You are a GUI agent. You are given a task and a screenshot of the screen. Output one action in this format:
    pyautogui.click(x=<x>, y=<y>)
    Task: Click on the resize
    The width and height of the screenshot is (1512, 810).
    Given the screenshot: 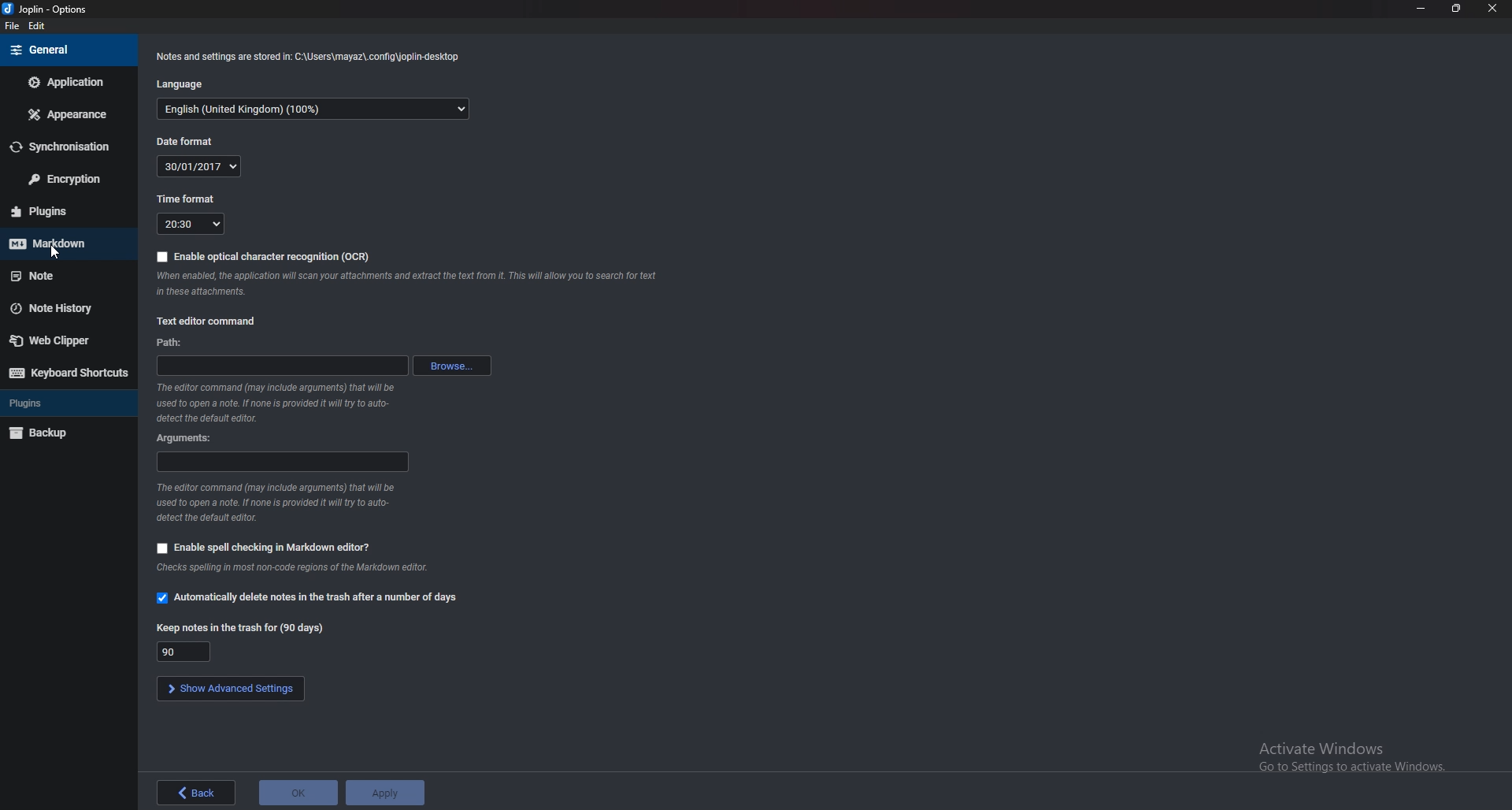 What is the action you would take?
    pyautogui.click(x=1457, y=8)
    